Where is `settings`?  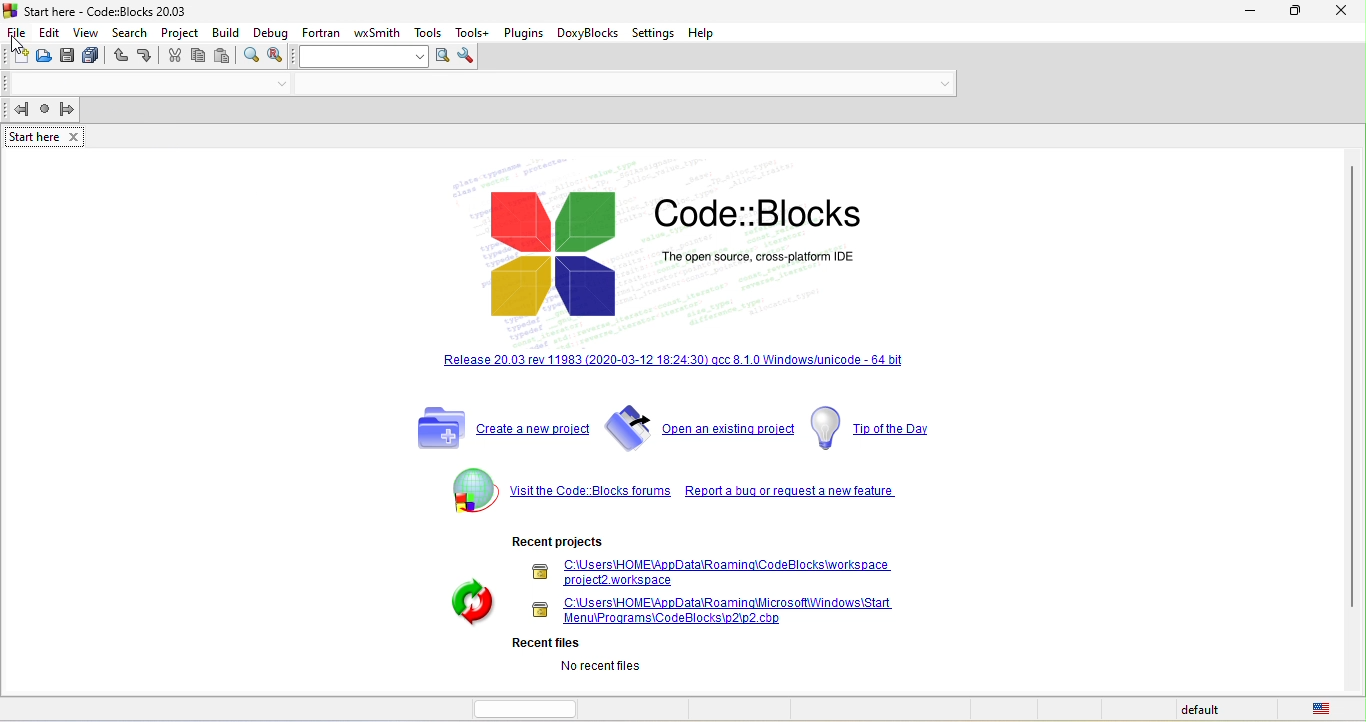 settings is located at coordinates (656, 33).